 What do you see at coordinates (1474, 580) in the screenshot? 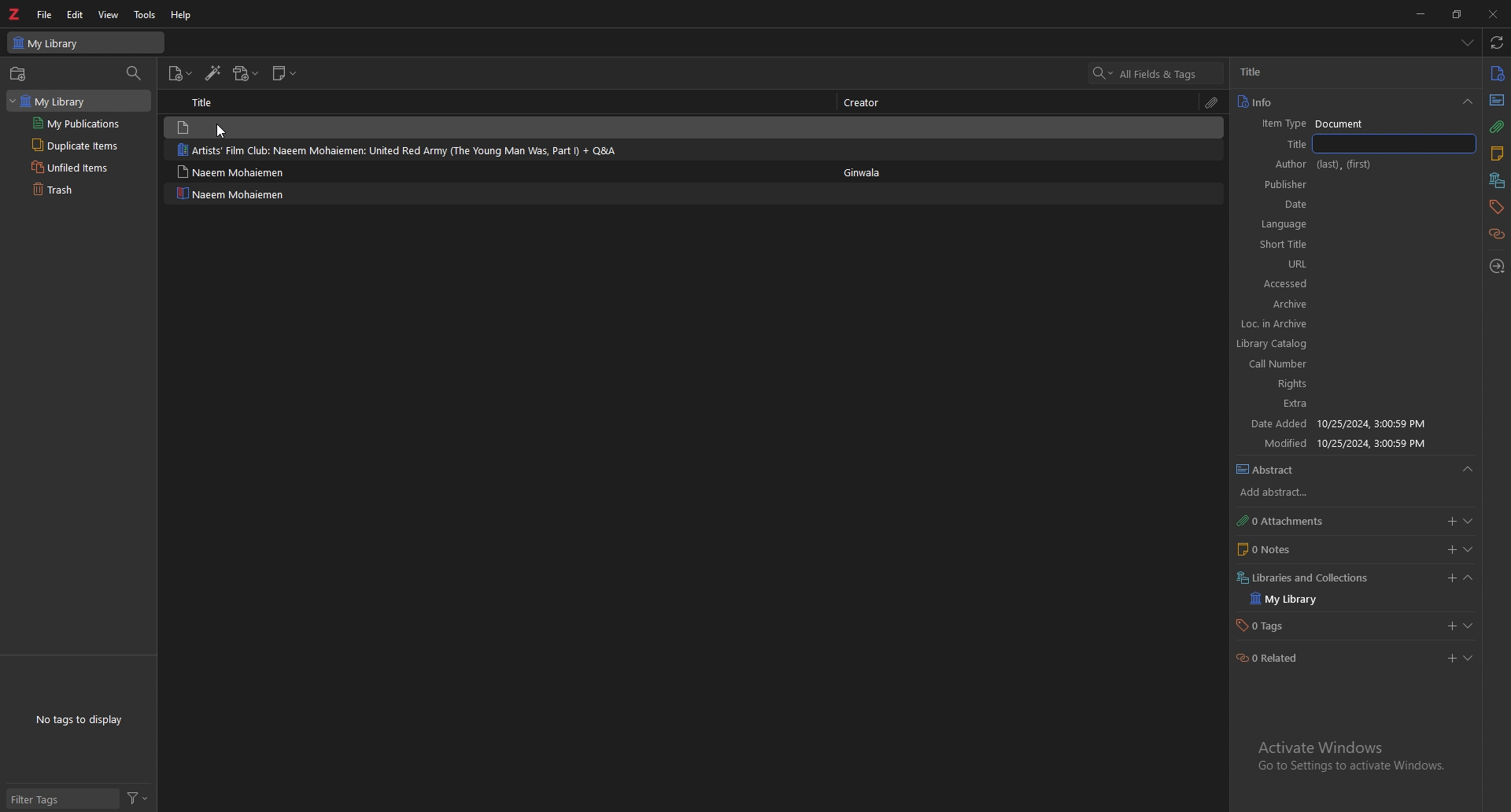
I see `expand section` at bounding box center [1474, 580].